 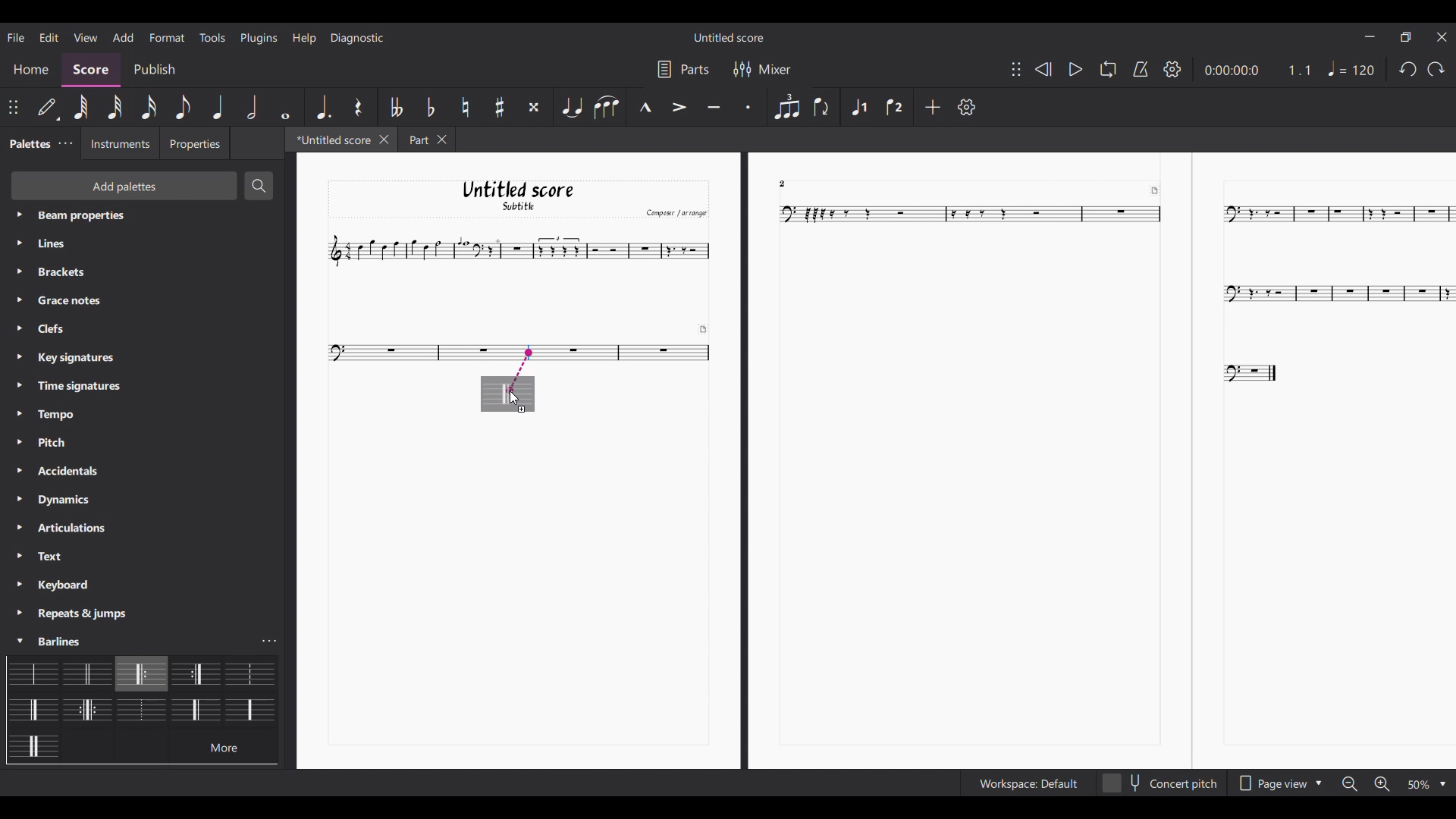 What do you see at coordinates (515, 399) in the screenshot?
I see `cursor` at bounding box center [515, 399].